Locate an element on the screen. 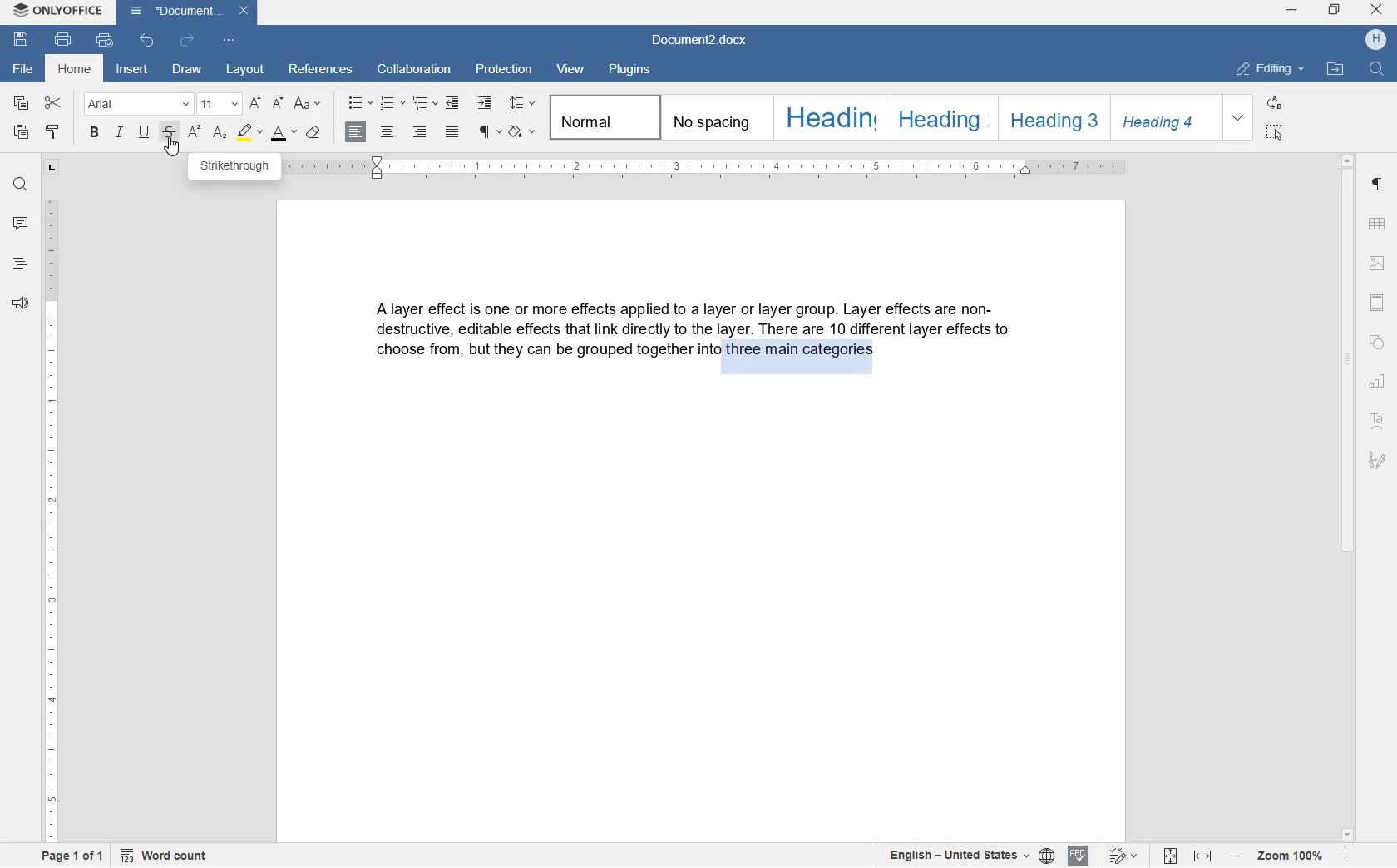 The width and height of the screenshot is (1397, 868). align left is located at coordinates (357, 133).